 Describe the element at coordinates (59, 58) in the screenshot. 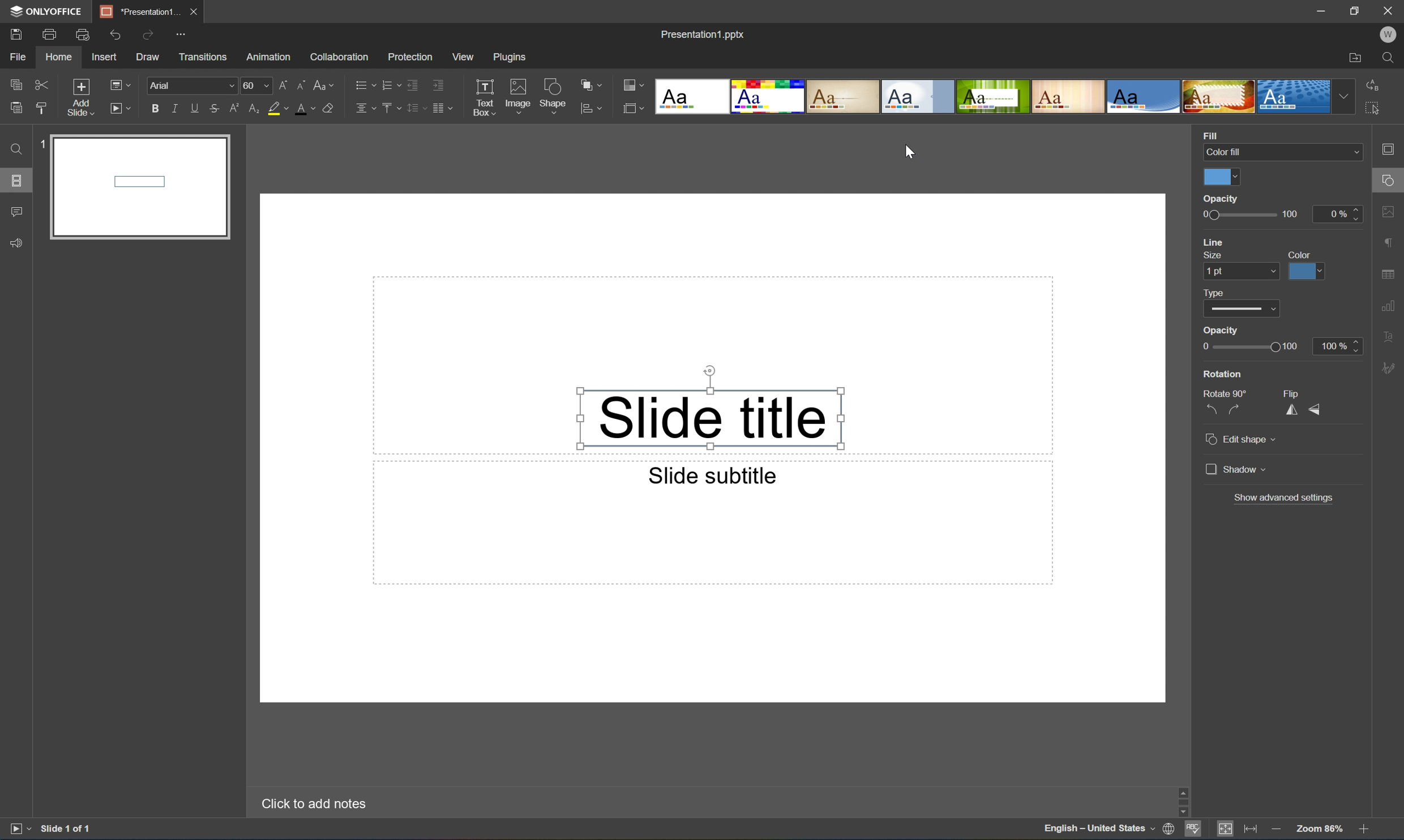

I see `Home` at that location.